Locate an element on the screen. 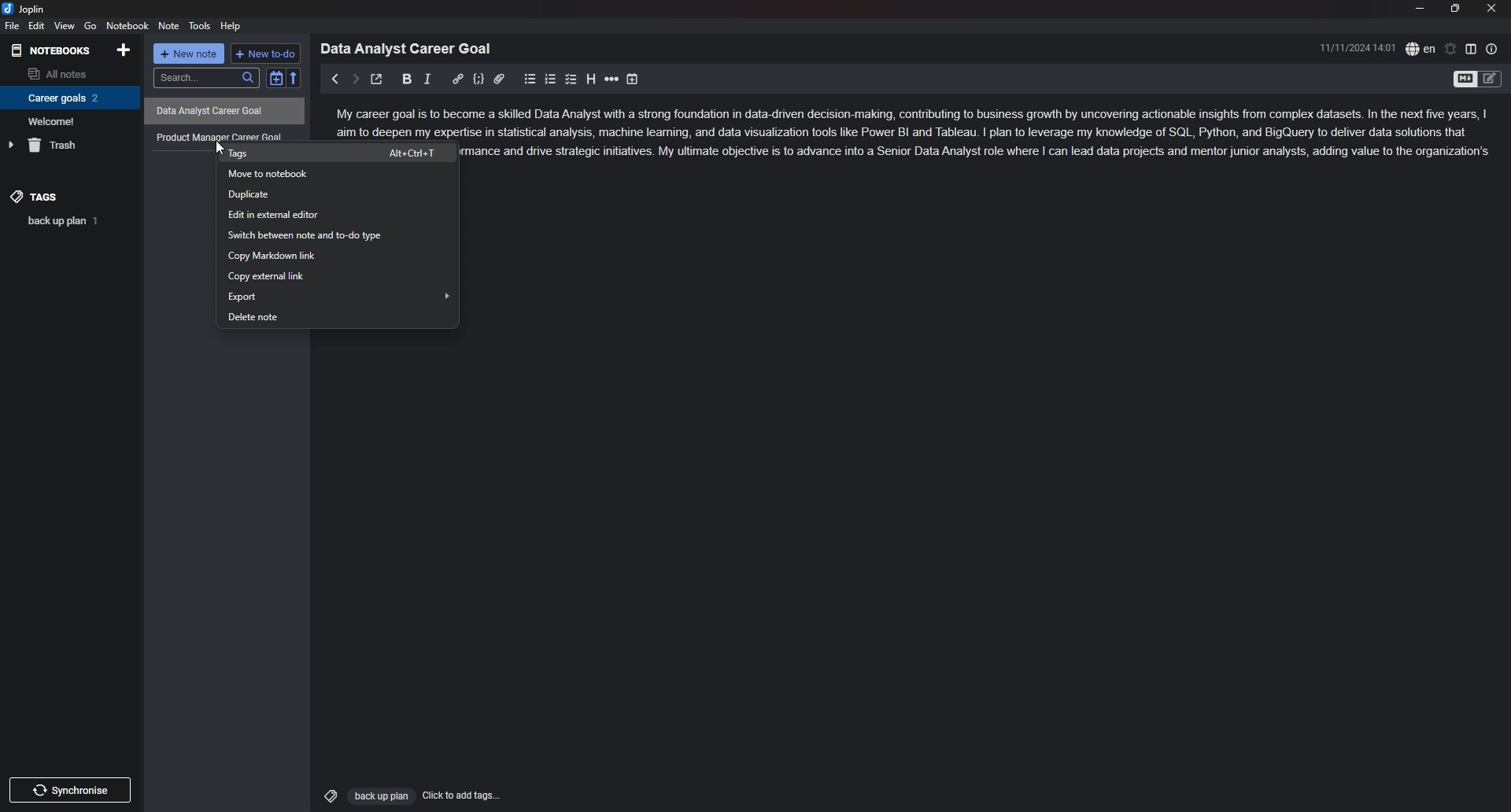 The height and width of the screenshot is (812, 1511). toggle external editor is located at coordinates (378, 79).